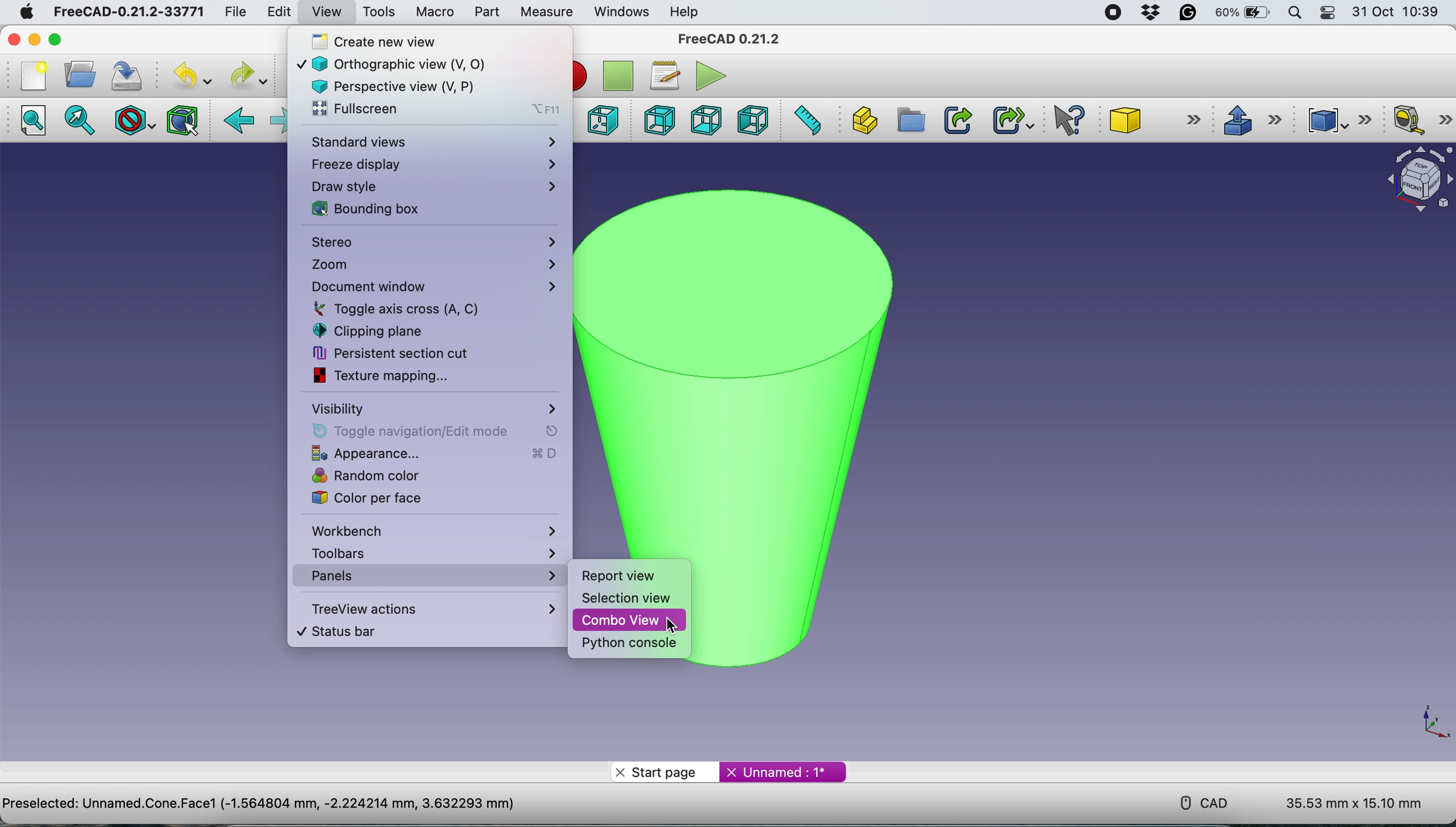 The height and width of the screenshot is (827, 1456). What do you see at coordinates (77, 74) in the screenshot?
I see `open` at bounding box center [77, 74].